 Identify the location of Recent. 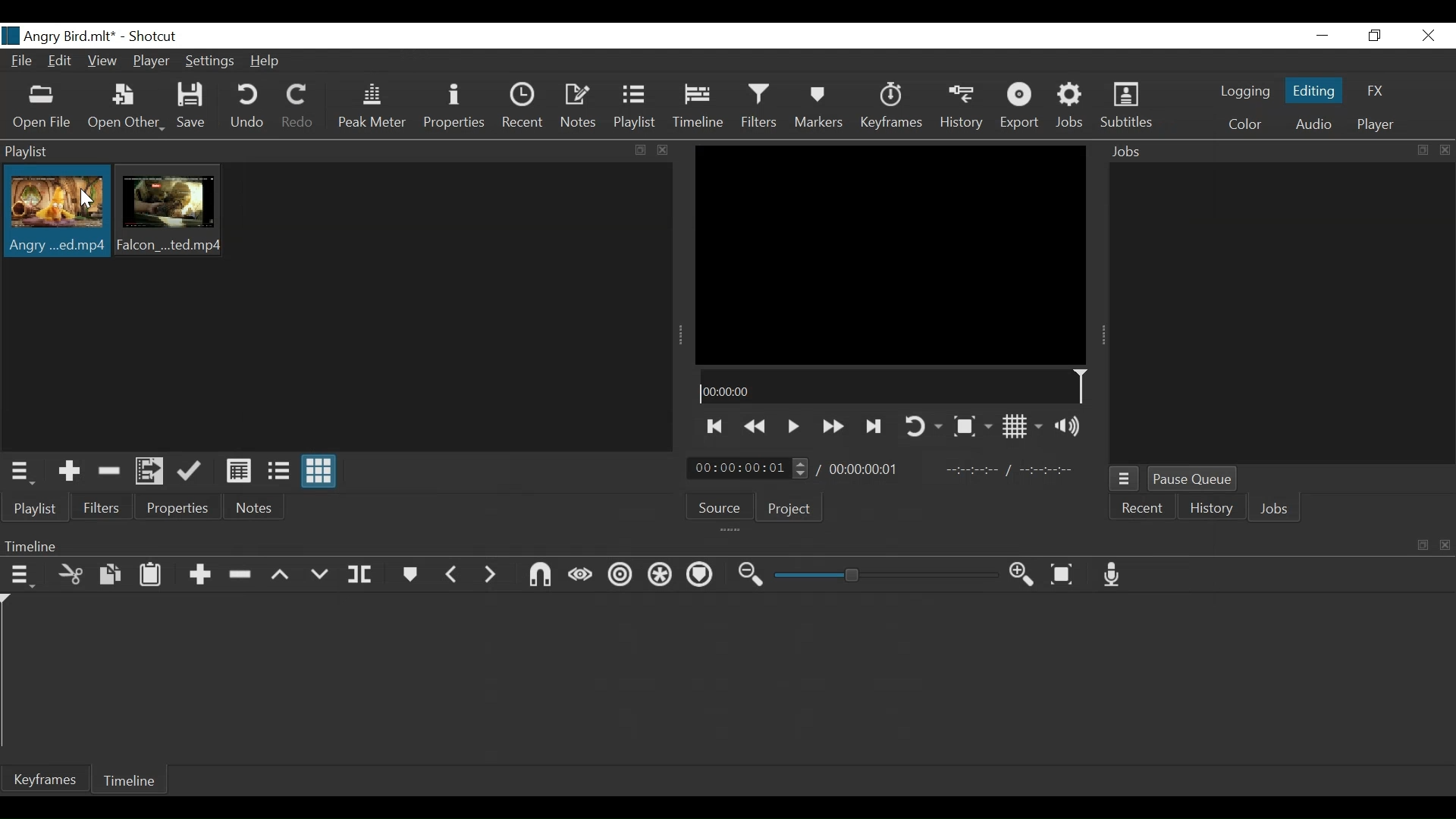
(524, 107).